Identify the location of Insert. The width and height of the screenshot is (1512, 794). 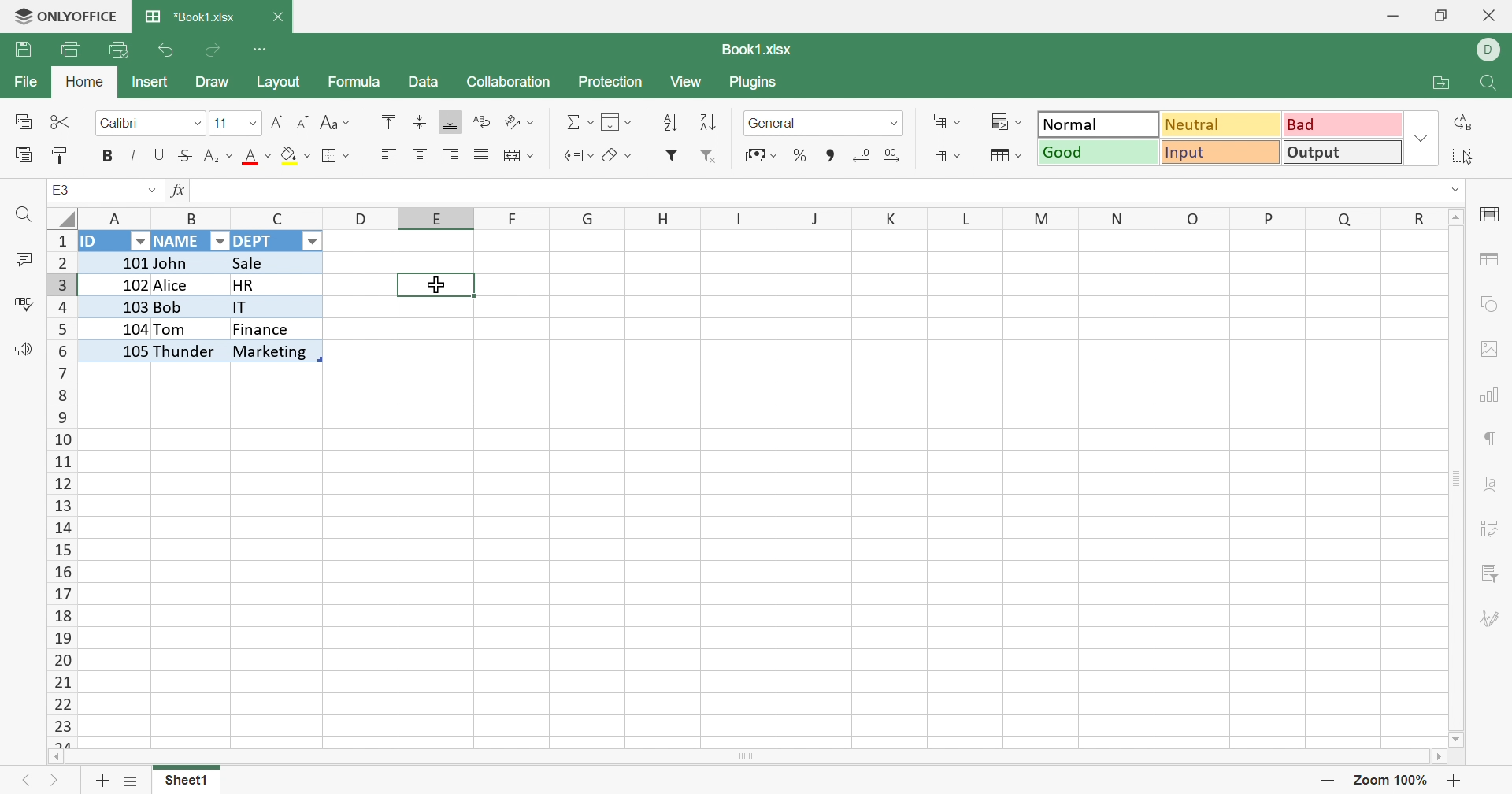
(155, 83).